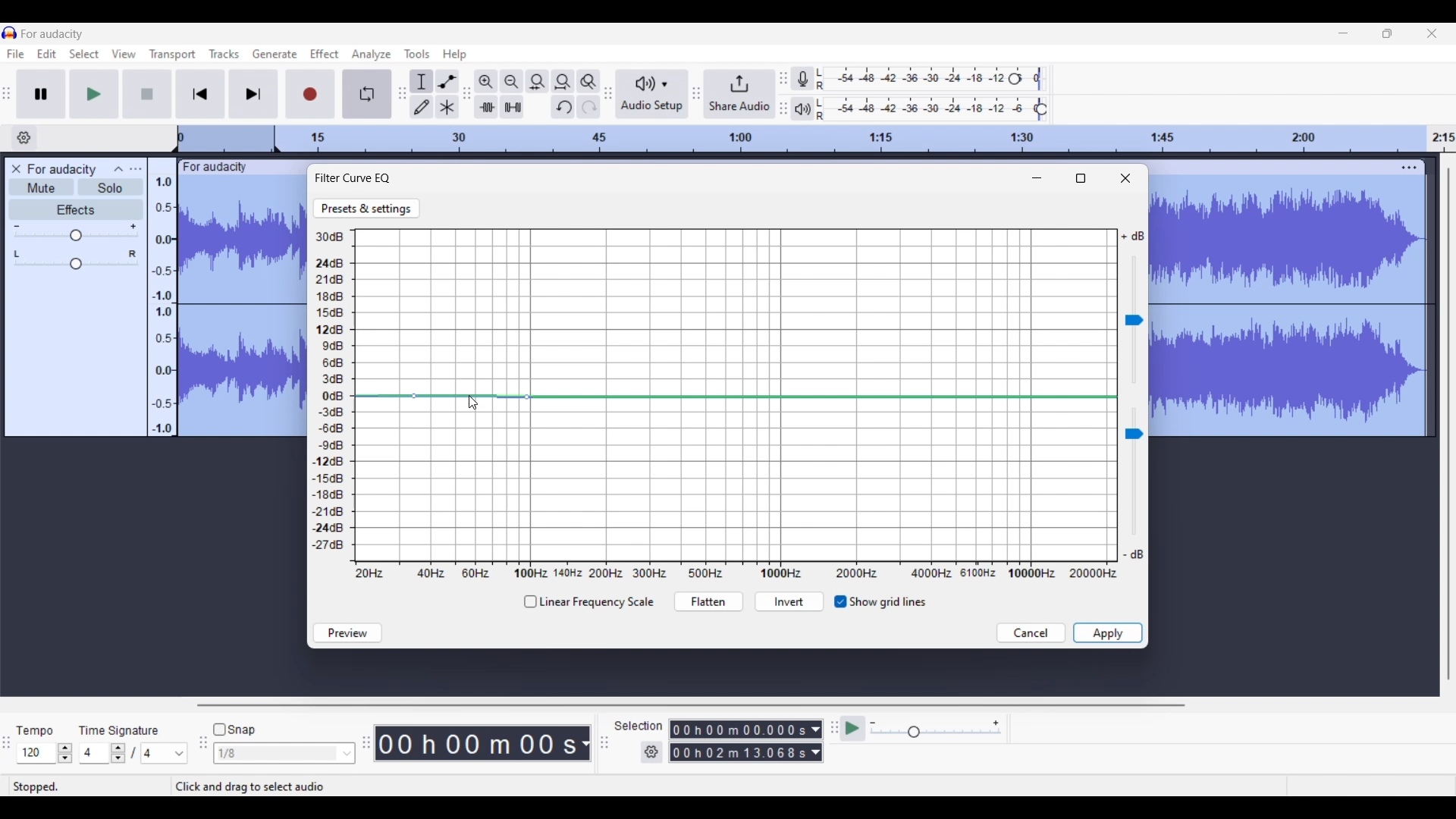 Image resolution: width=1456 pixels, height=819 pixels. Describe the element at coordinates (740, 94) in the screenshot. I see `Share audio` at that location.